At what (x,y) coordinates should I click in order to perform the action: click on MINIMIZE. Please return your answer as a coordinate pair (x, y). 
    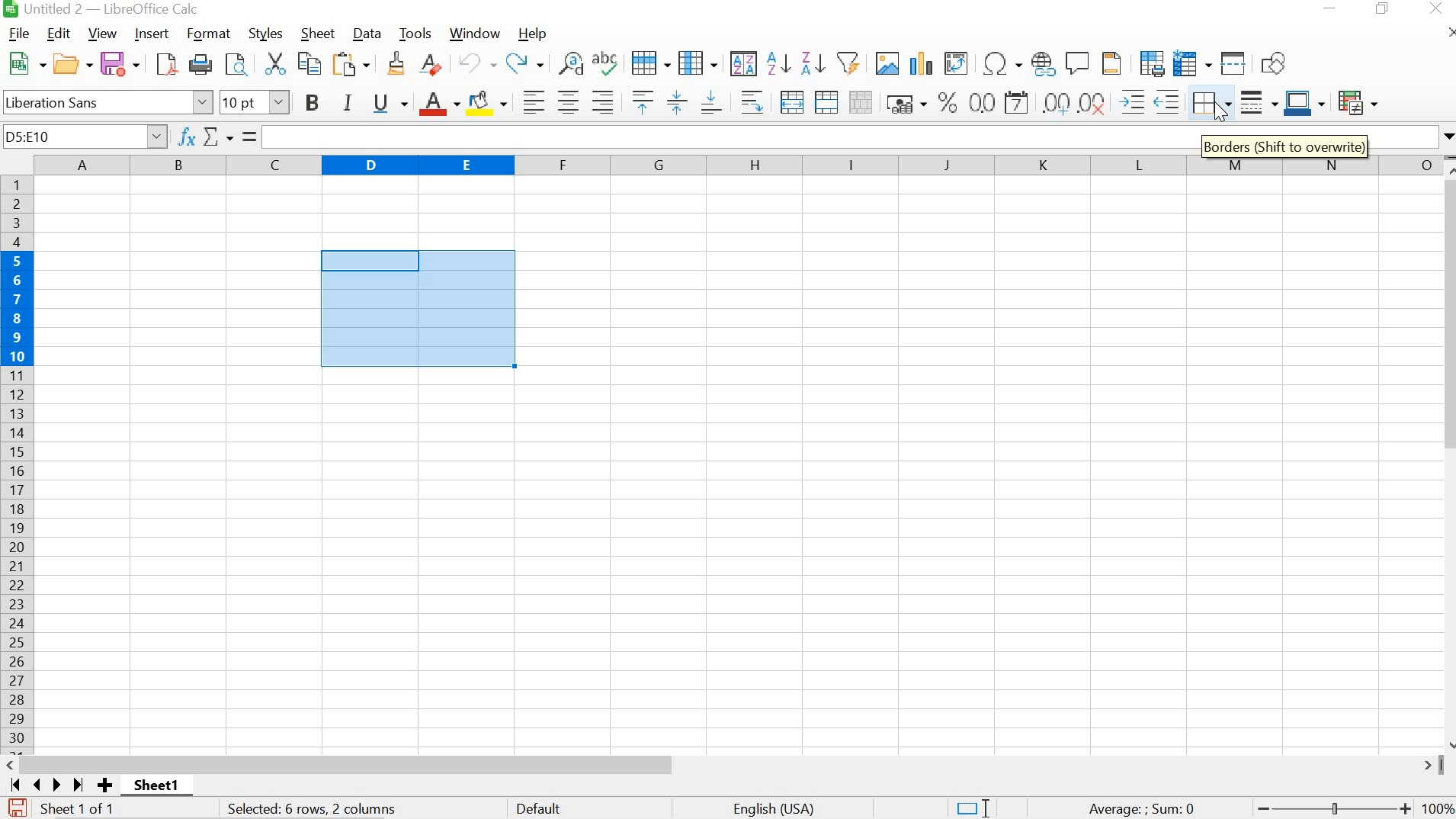
    Looking at the image, I should click on (1329, 8).